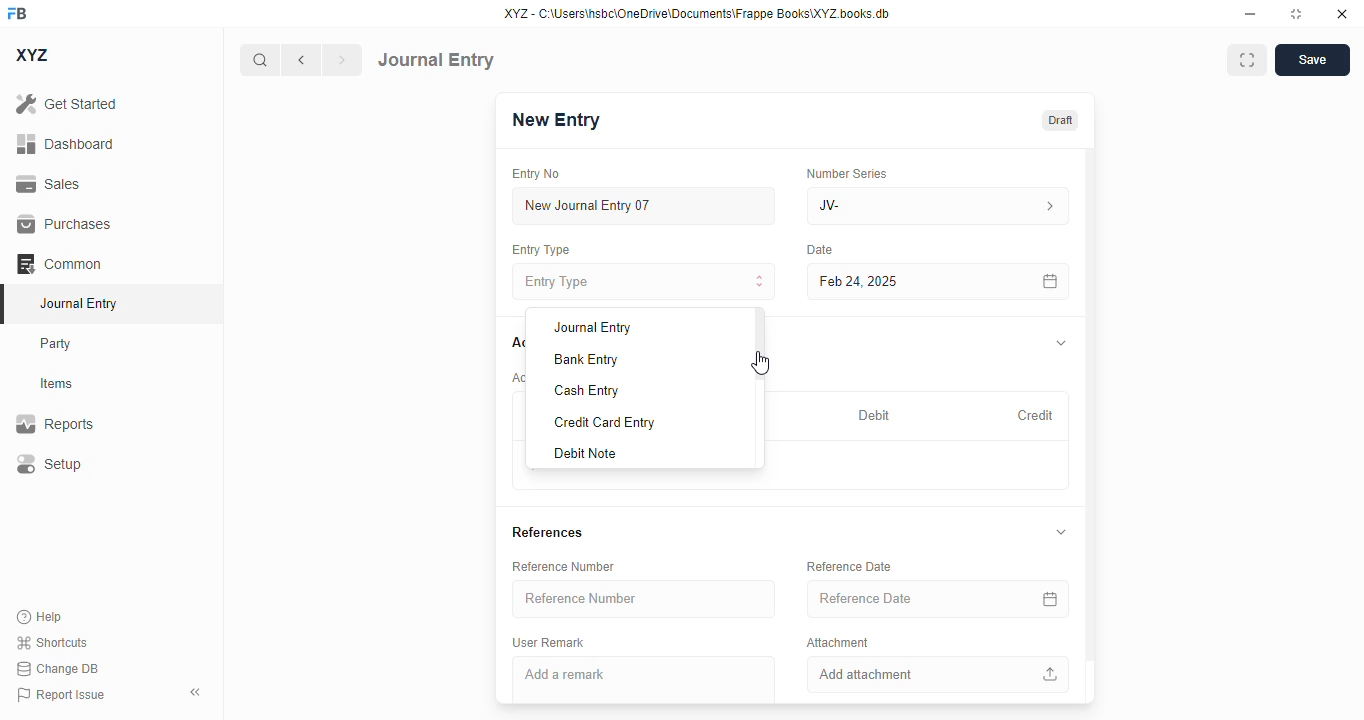 This screenshot has width=1364, height=720. What do you see at coordinates (17, 13) in the screenshot?
I see `FB - logo` at bounding box center [17, 13].